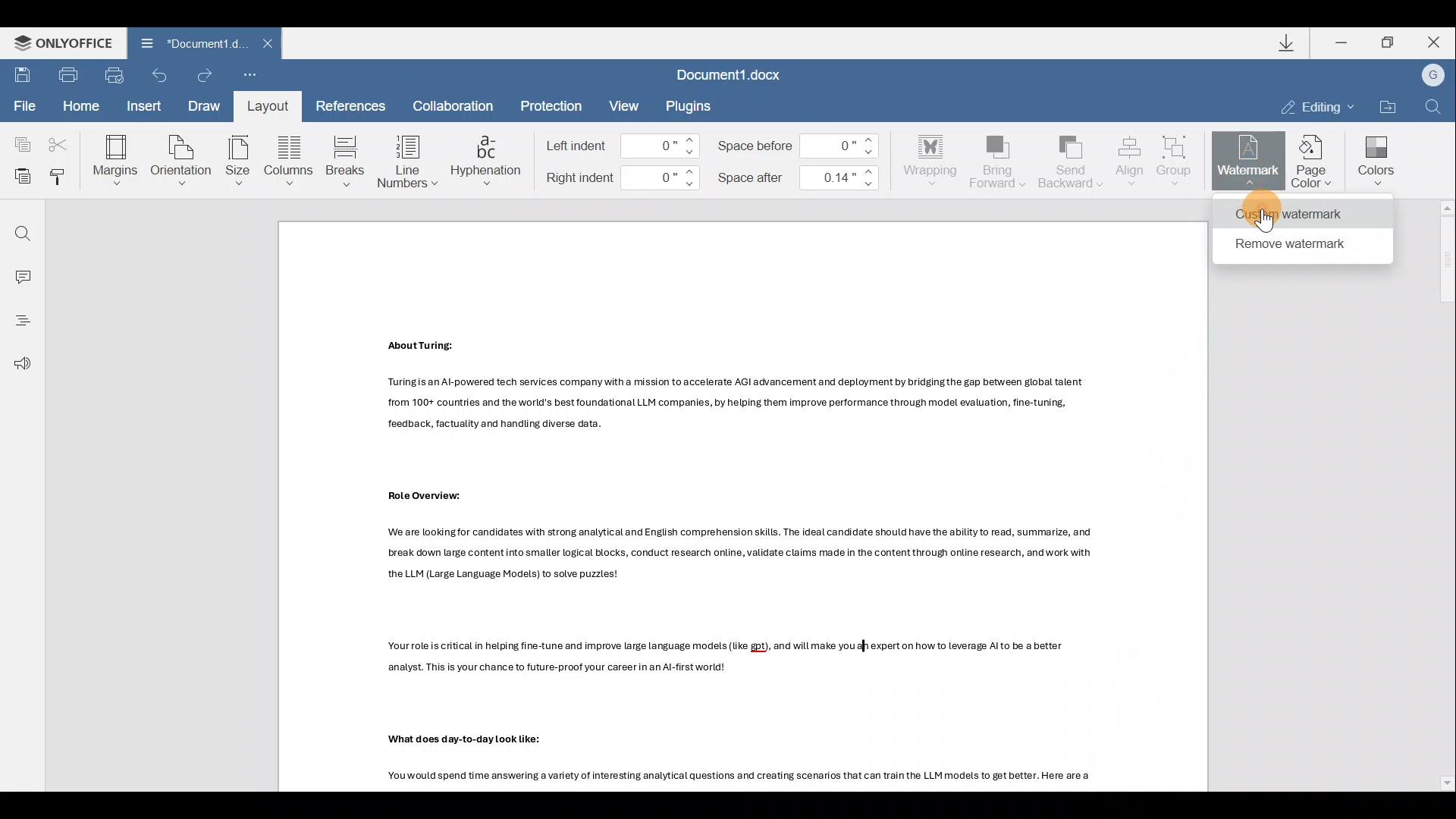  Describe the element at coordinates (739, 554) in the screenshot. I see `` at that location.